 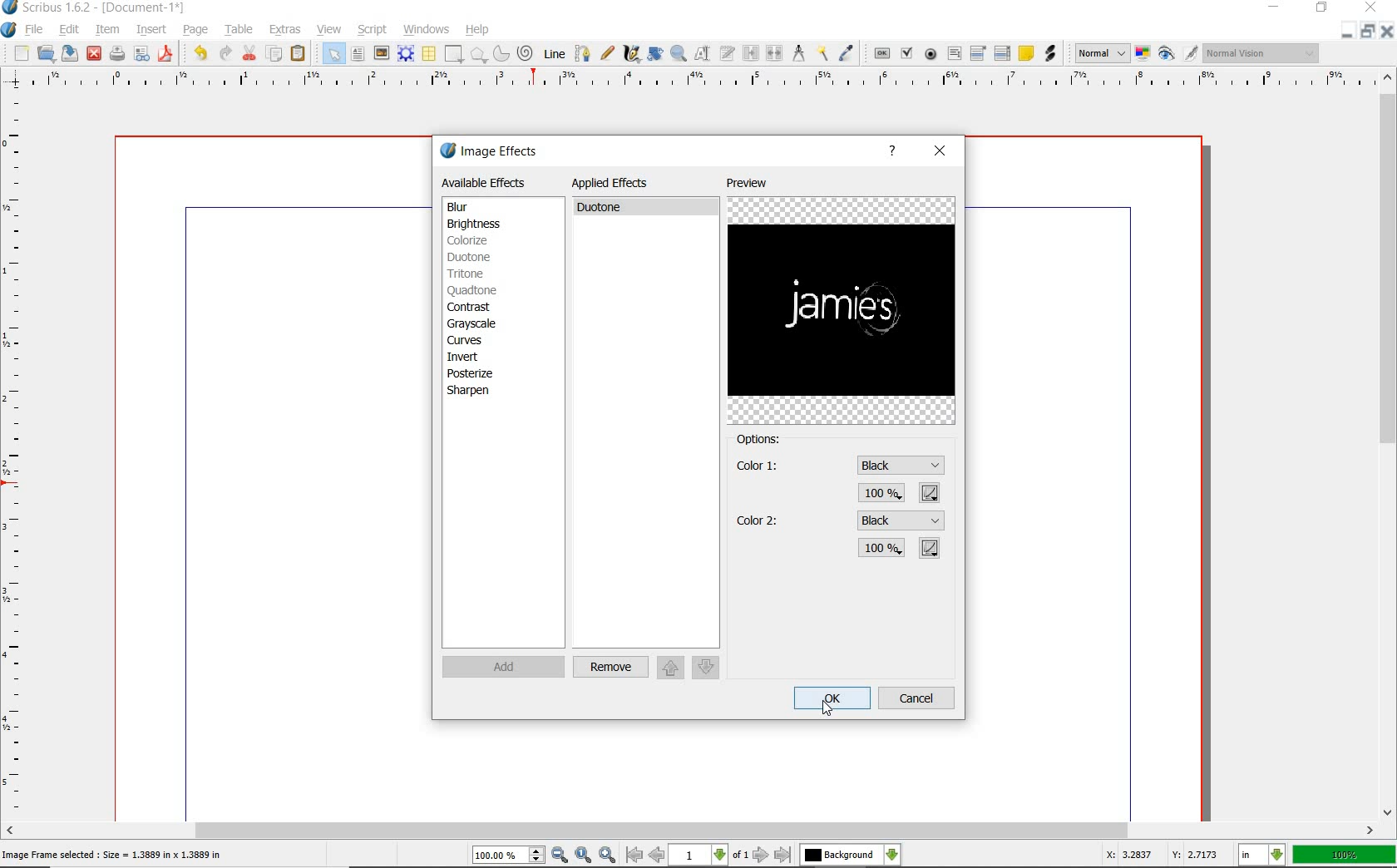 I want to click on pdf radio button, so click(x=932, y=54).